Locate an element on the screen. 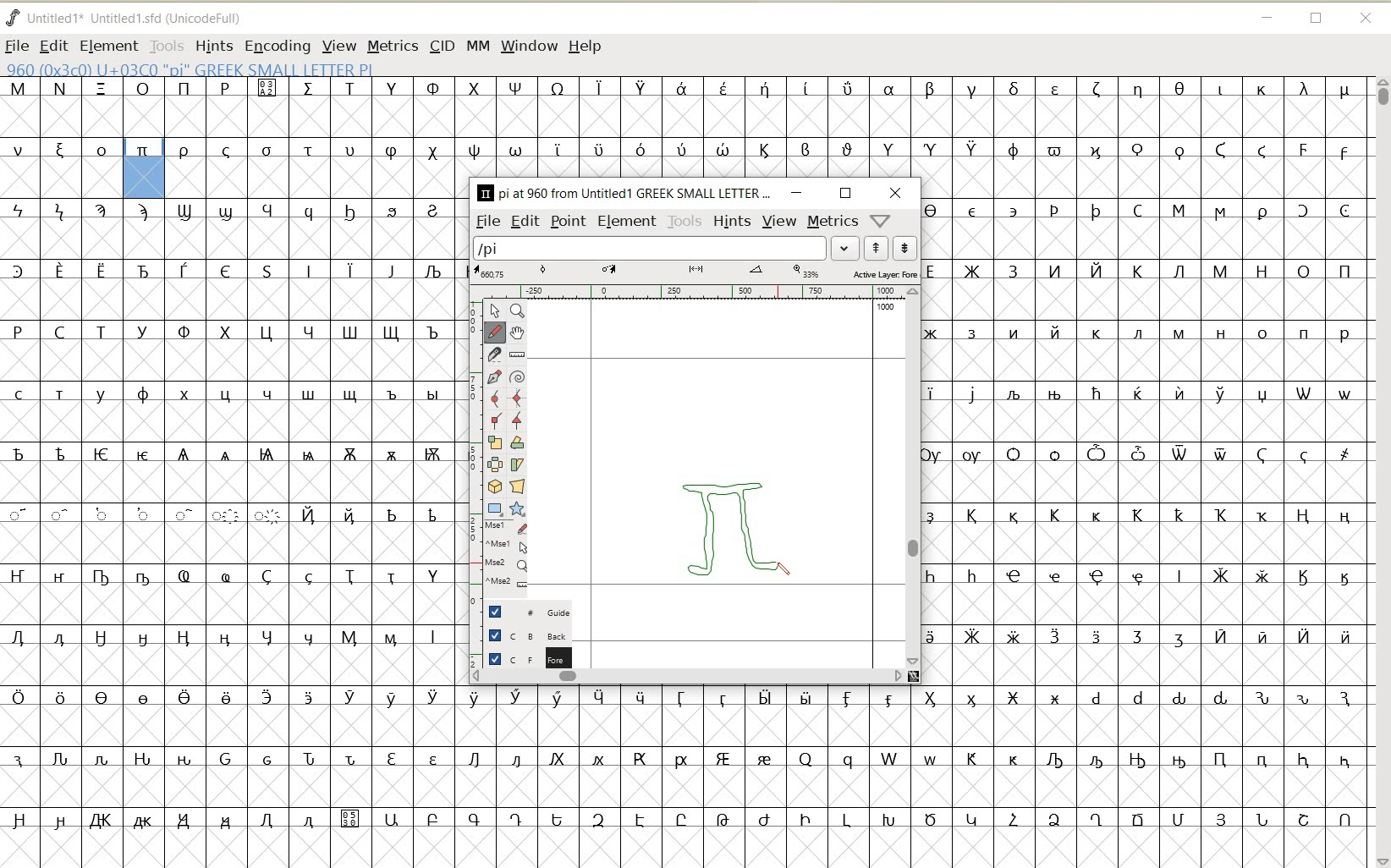 The image size is (1391, 868). scale the selection is located at coordinates (493, 442).